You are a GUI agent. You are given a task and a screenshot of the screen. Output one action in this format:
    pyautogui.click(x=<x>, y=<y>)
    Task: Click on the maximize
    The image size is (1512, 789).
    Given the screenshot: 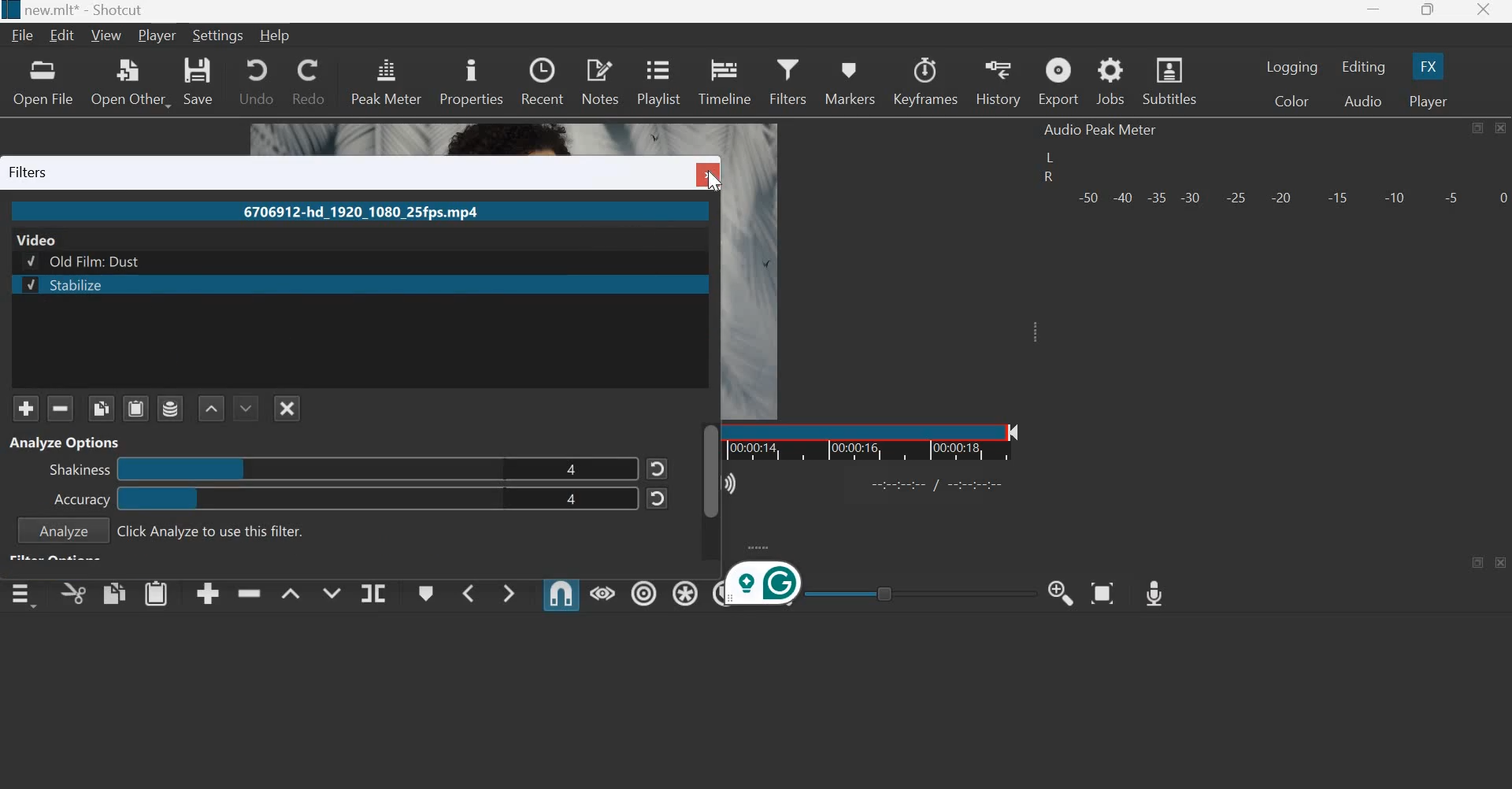 What is the action you would take?
    pyautogui.click(x=1478, y=128)
    